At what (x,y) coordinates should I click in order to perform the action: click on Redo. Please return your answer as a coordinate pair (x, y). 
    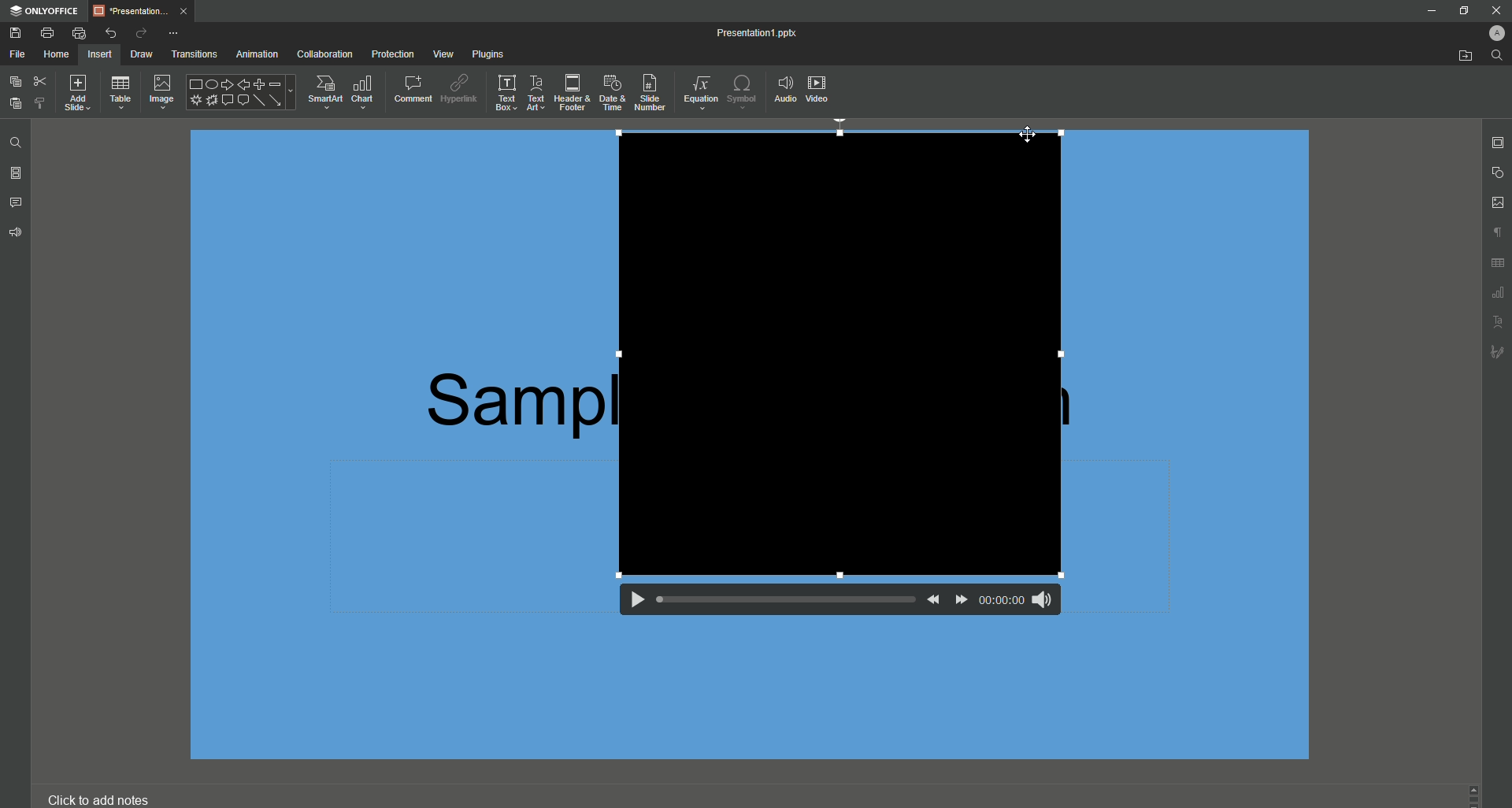
    Looking at the image, I should click on (140, 33).